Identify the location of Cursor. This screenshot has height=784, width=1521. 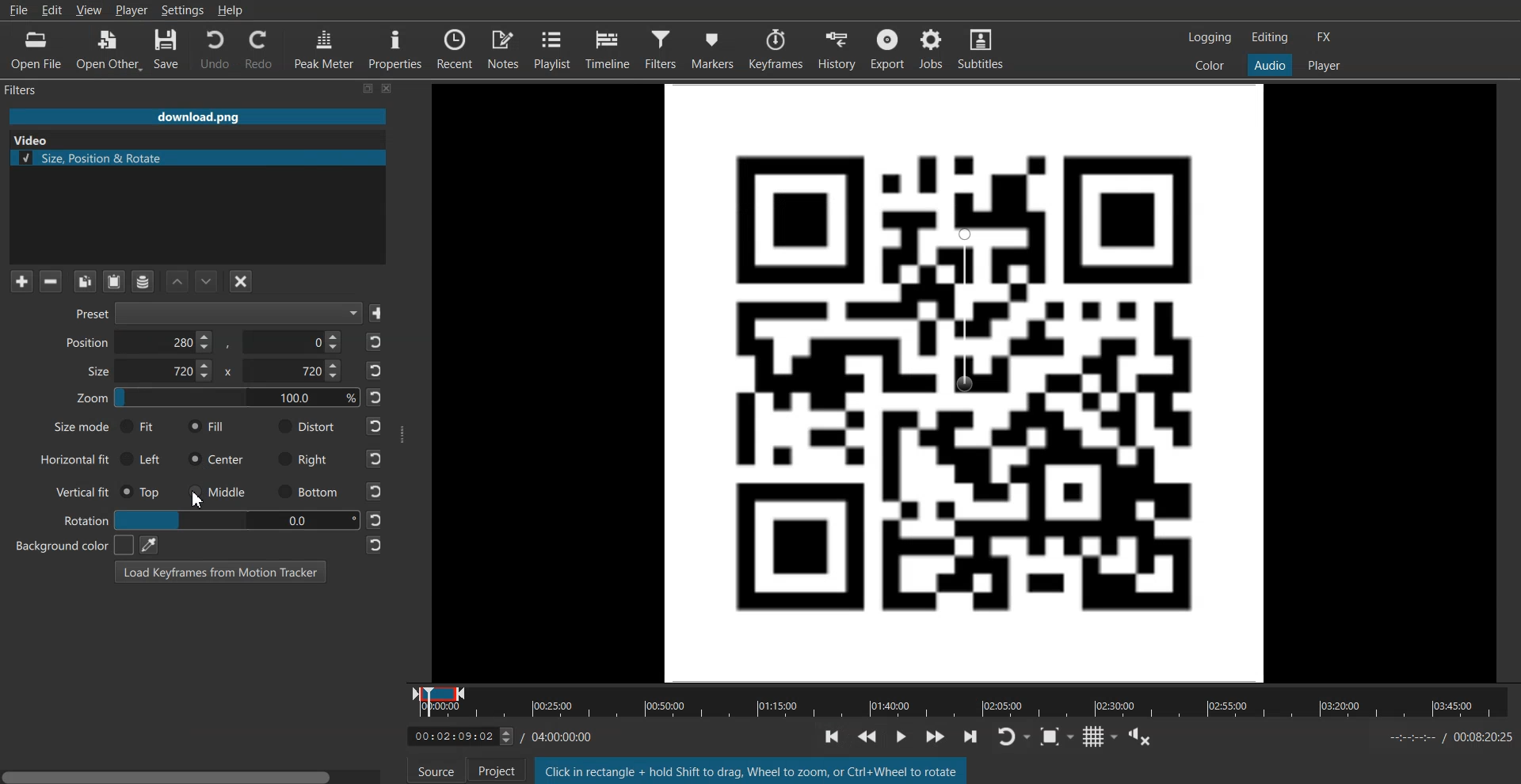
(198, 500).